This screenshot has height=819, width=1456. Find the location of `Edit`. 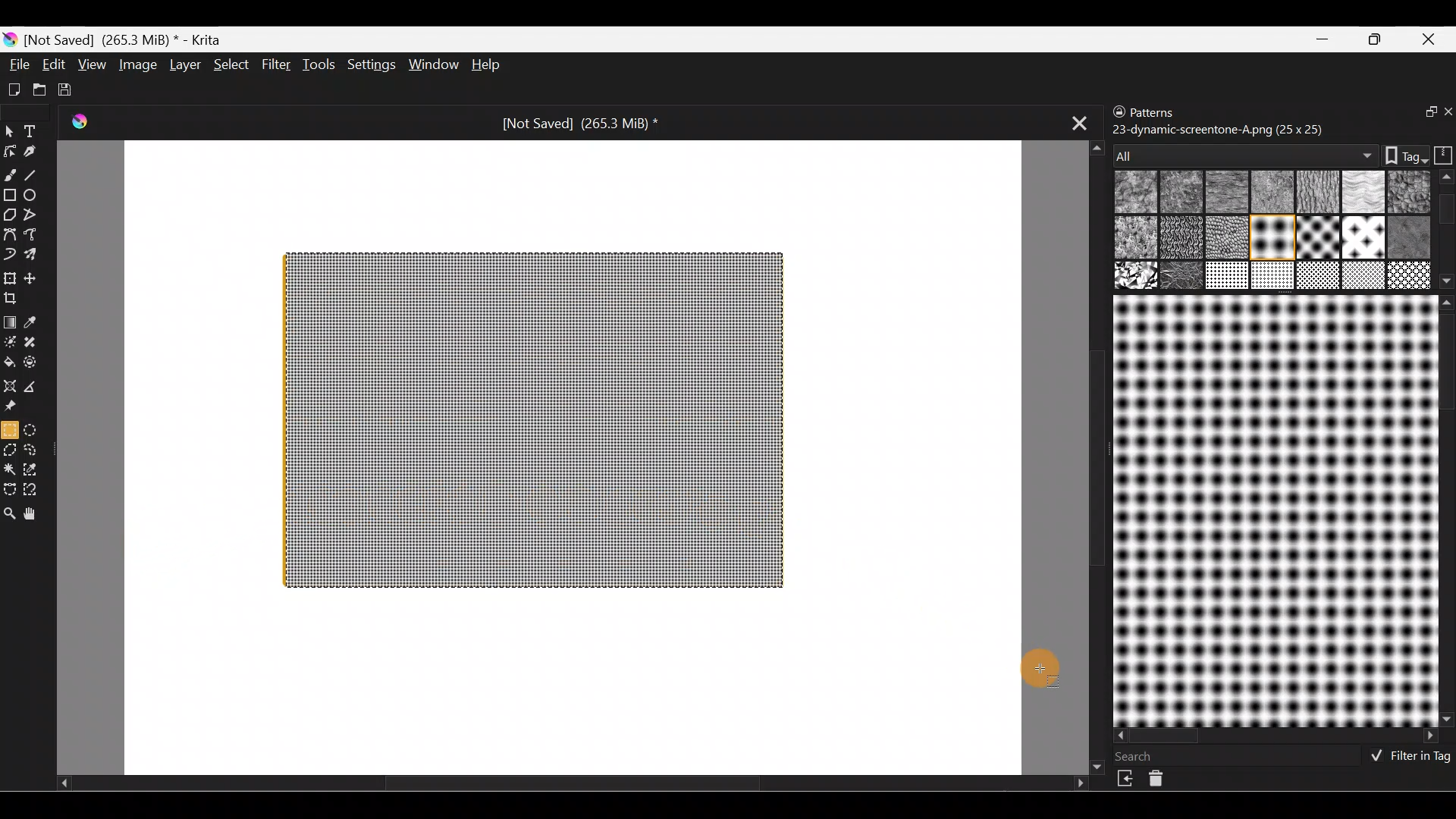

Edit is located at coordinates (54, 64).